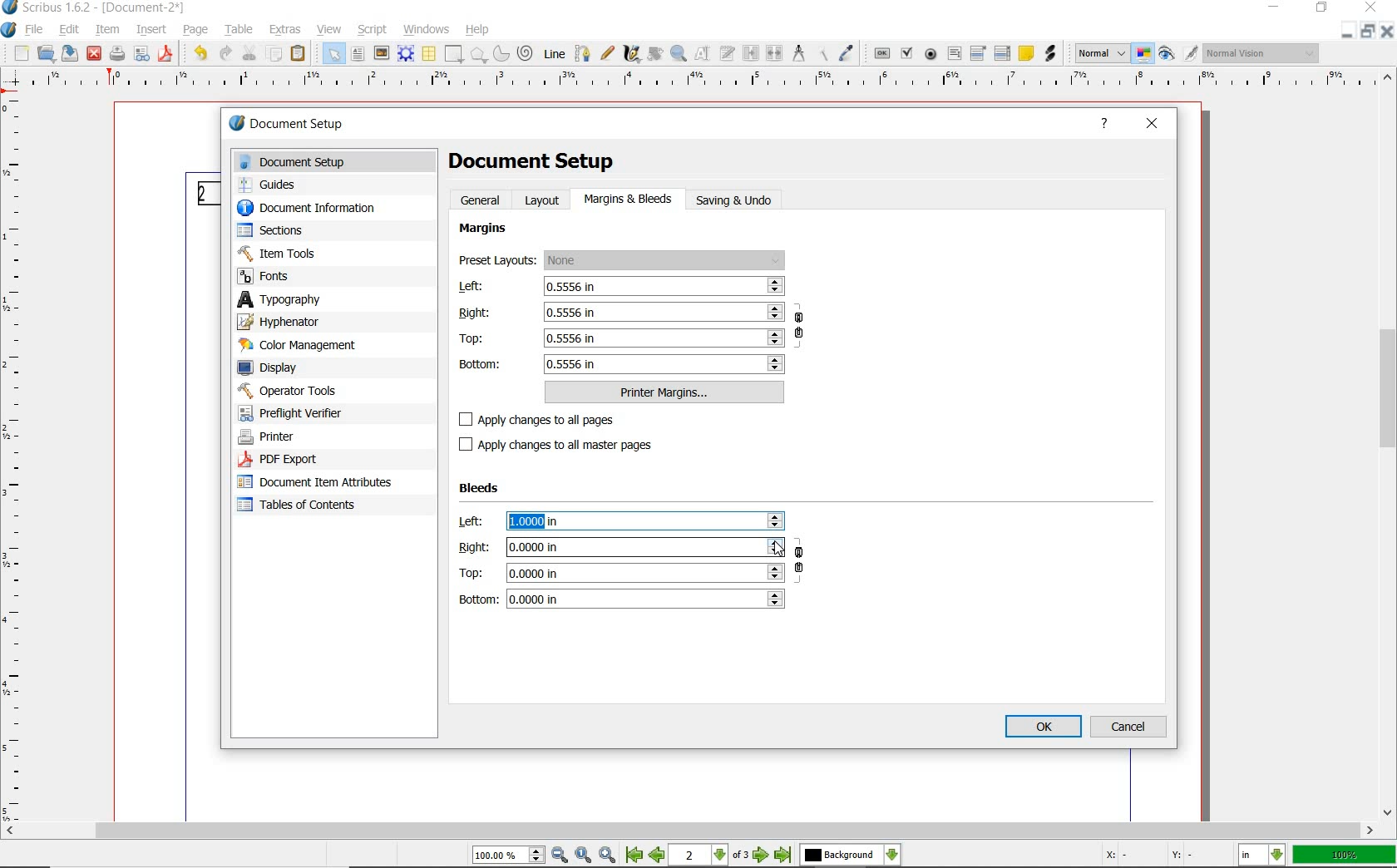 The width and height of the screenshot is (1397, 868). Describe the element at coordinates (311, 125) in the screenshot. I see `document setup` at that location.